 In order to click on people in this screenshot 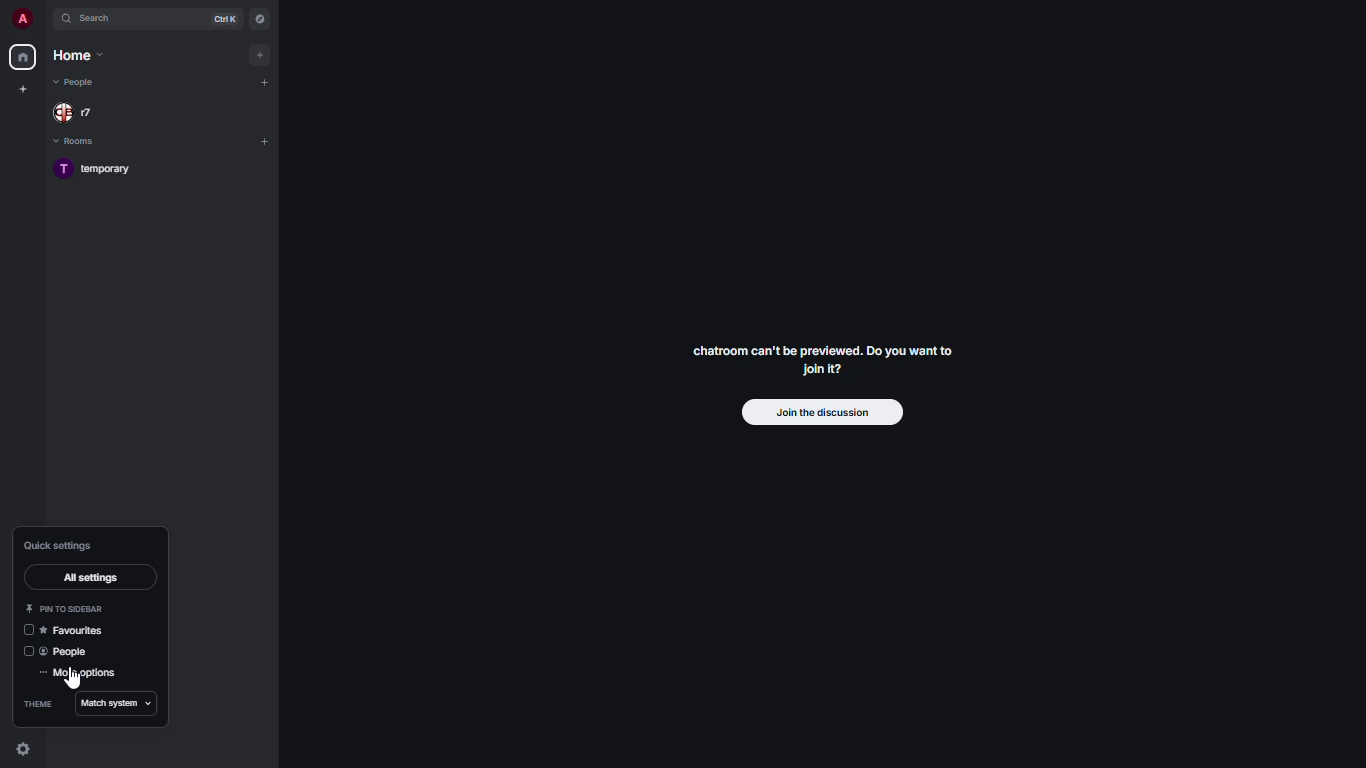, I will do `click(74, 651)`.